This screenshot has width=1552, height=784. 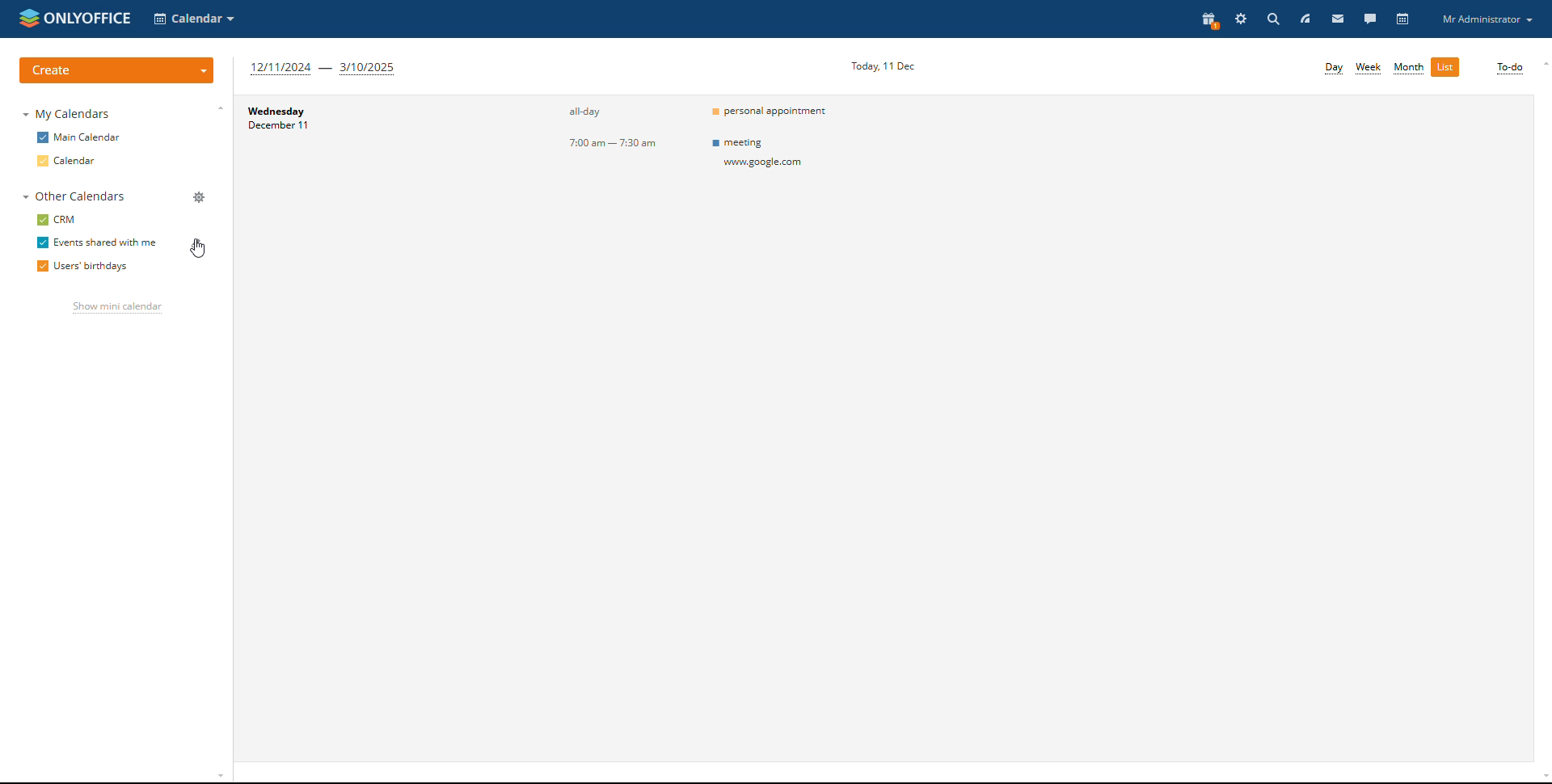 What do you see at coordinates (117, 70) in the screenshot?
I see `create` at bounding box center [117, 70].